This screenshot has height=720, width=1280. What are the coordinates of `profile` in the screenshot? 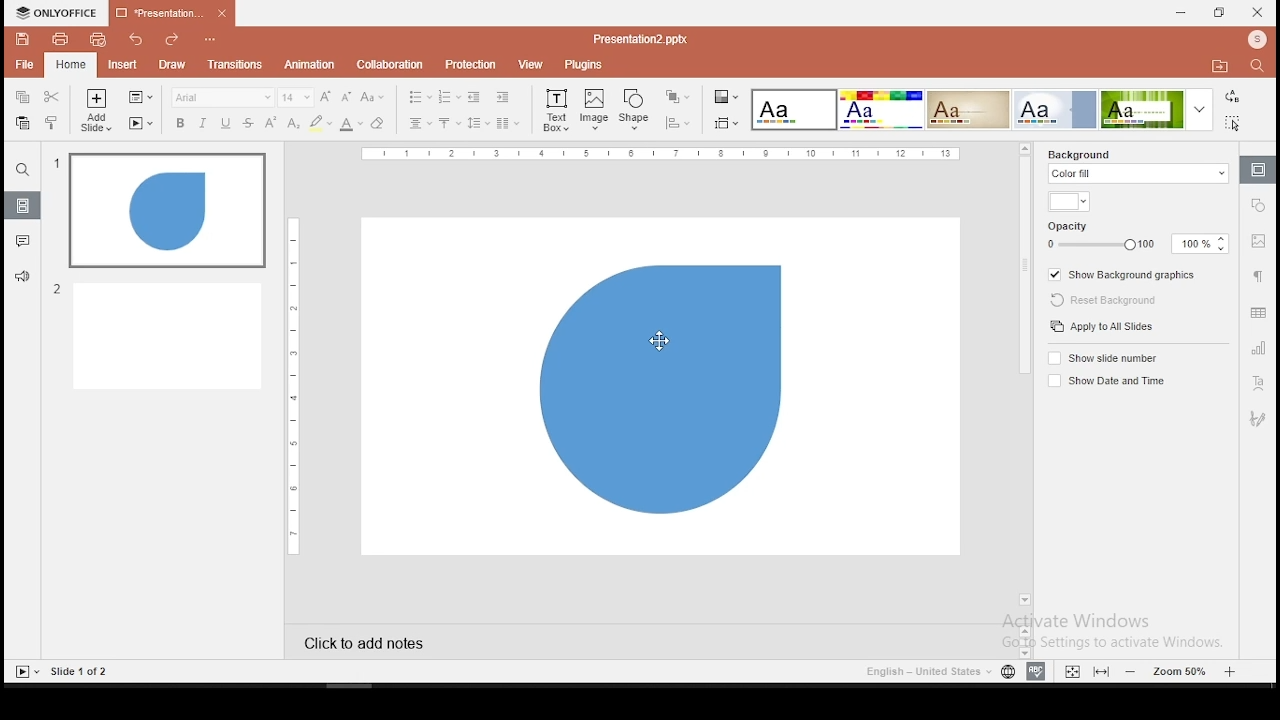 It's located at (1255, 39).